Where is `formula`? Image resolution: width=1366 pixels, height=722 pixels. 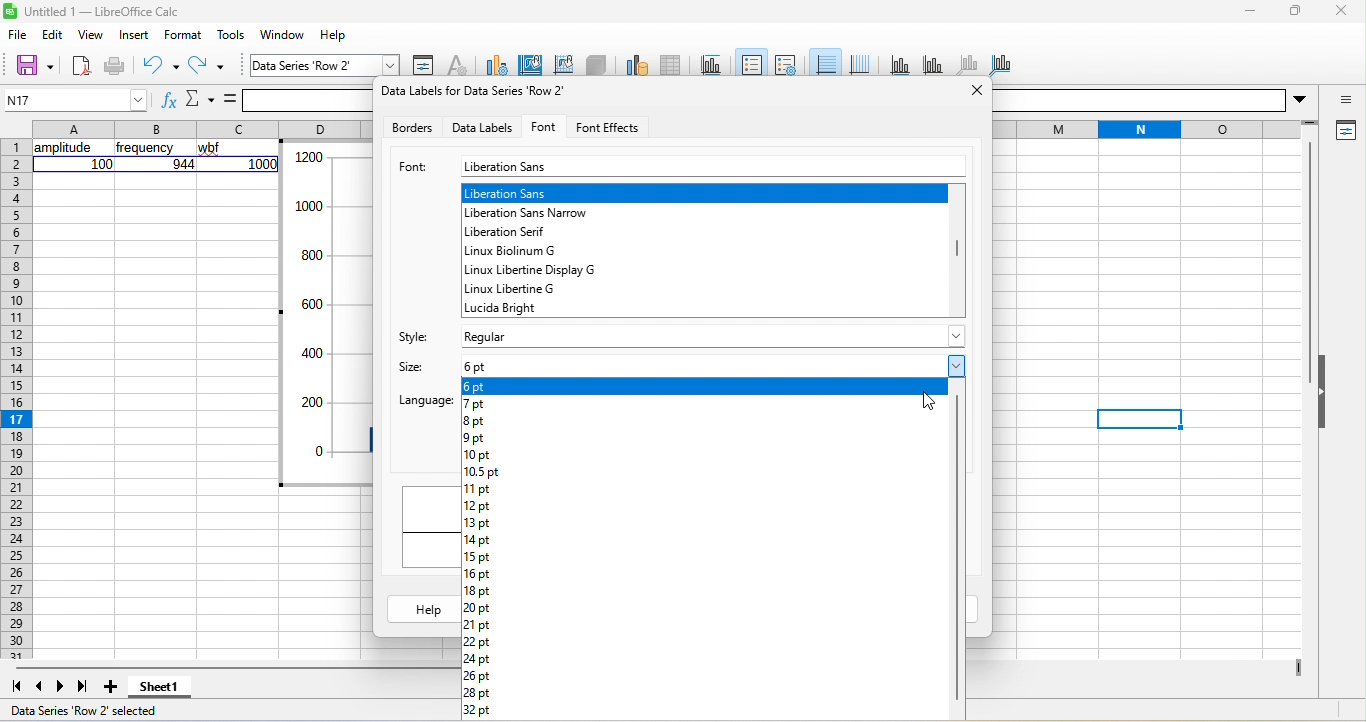
formula is located at coordinates (227, 101).